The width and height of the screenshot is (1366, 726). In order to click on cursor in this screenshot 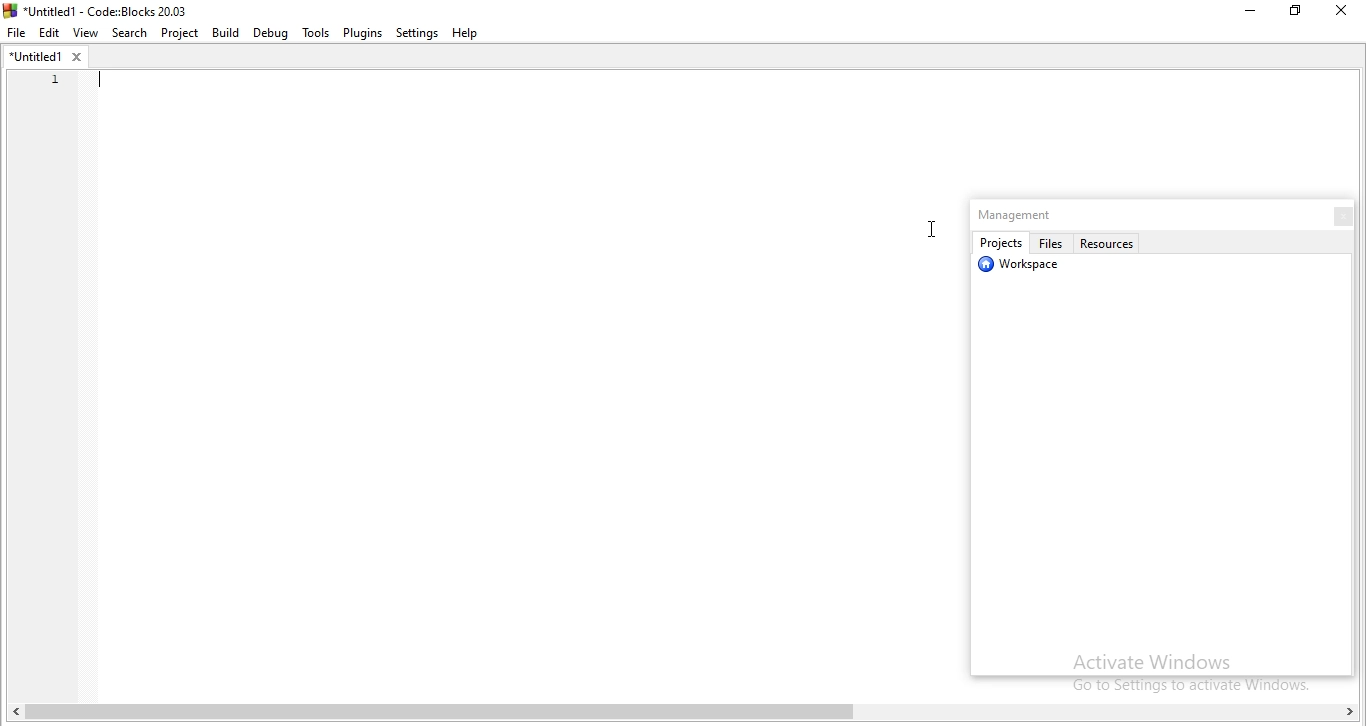, I will do `click(928, 231)`.